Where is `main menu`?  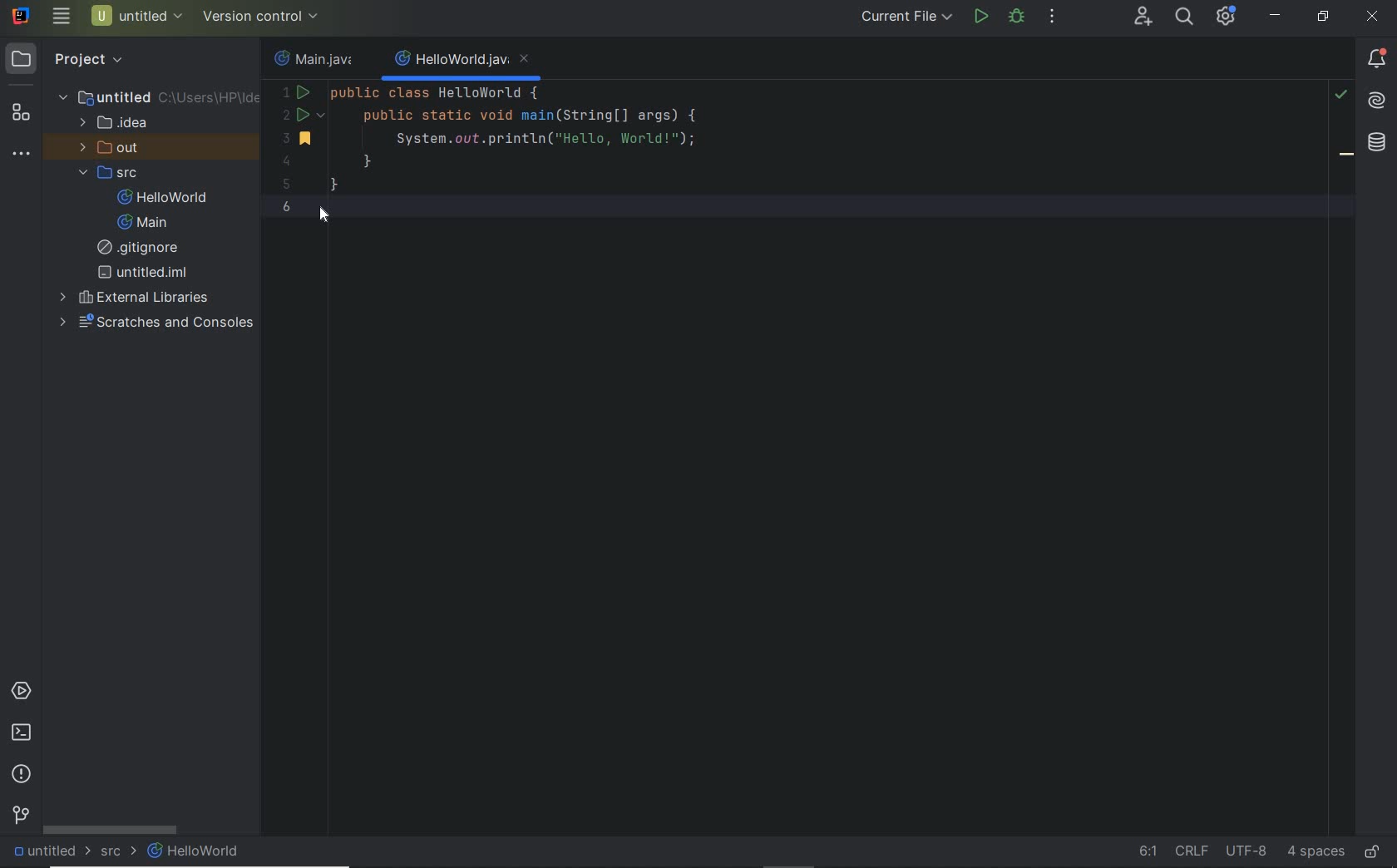
main menu is located at coordinates (62, 16).